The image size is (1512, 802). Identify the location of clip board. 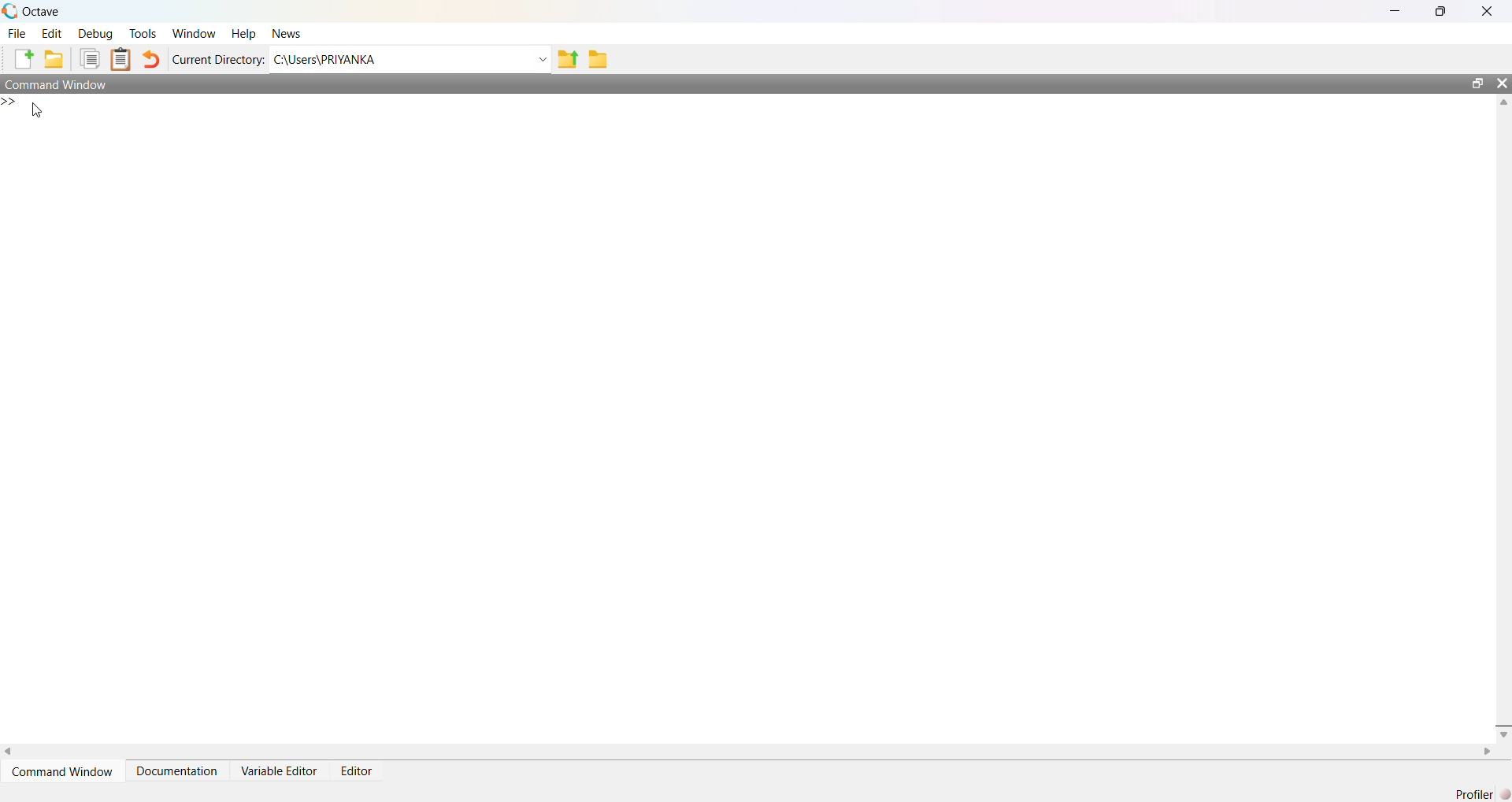
(120, 58).